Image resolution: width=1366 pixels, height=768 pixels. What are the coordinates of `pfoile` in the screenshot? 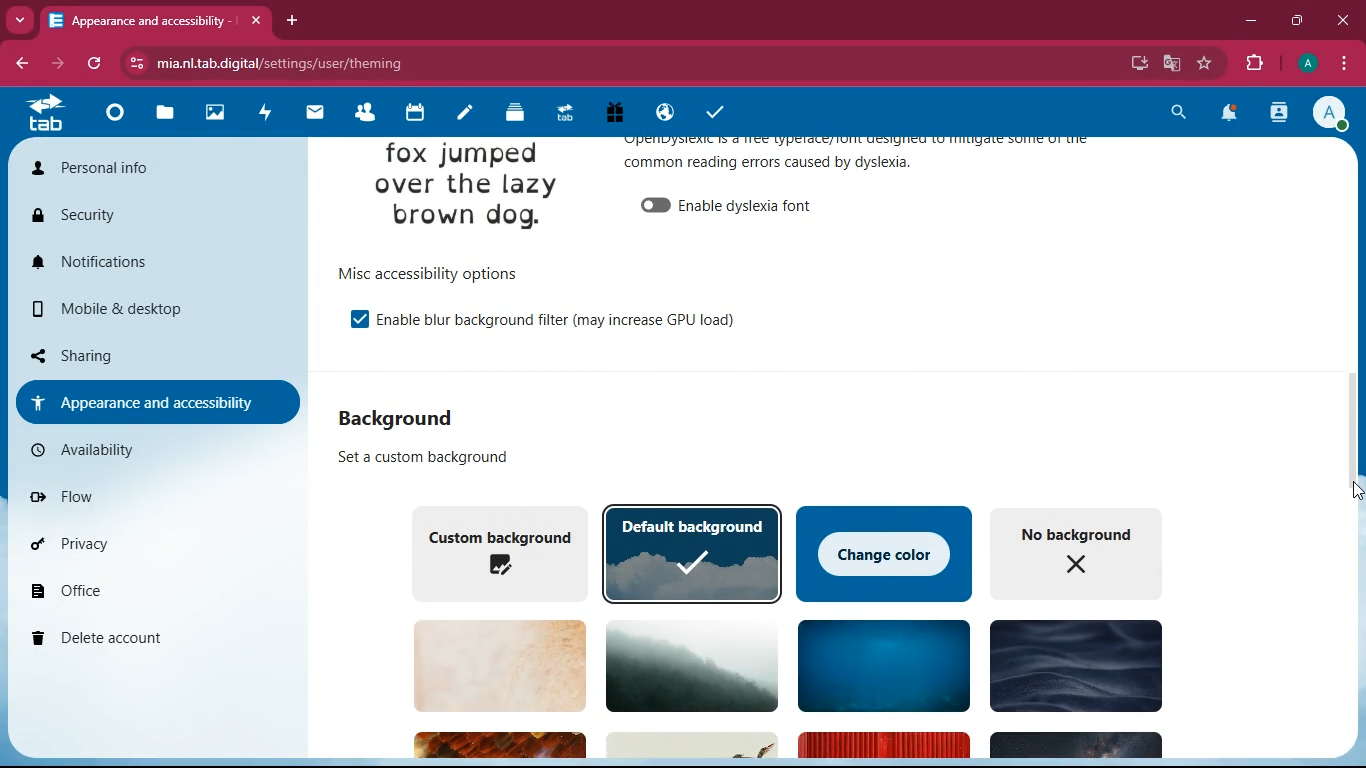 It's located at (1306, 63).